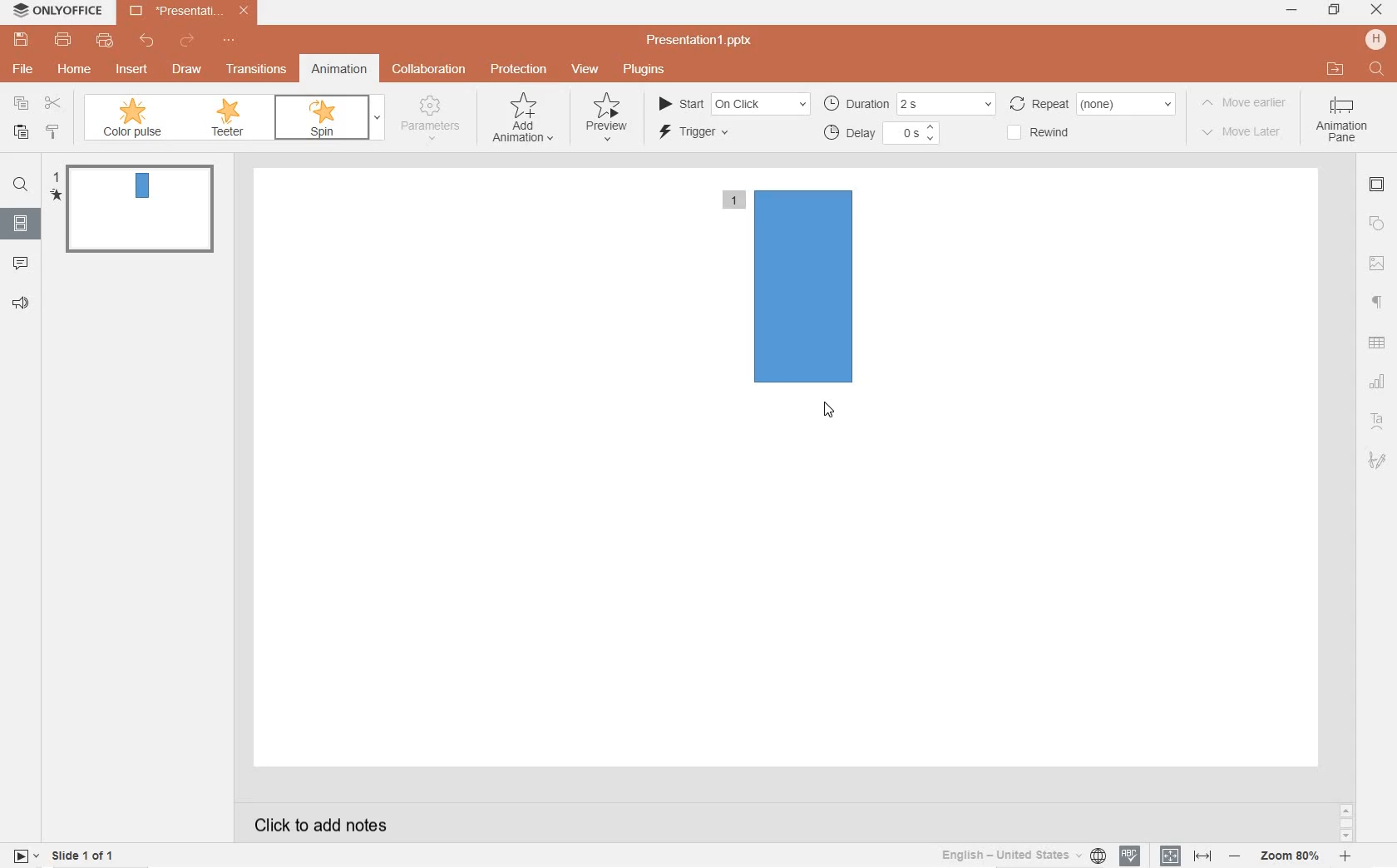 The height and width of the screenshot is (868, 1397). What do you see at coordinates (314, 823) in the screenshot?
I see `click to add notes` at bounding box center [314, 823].